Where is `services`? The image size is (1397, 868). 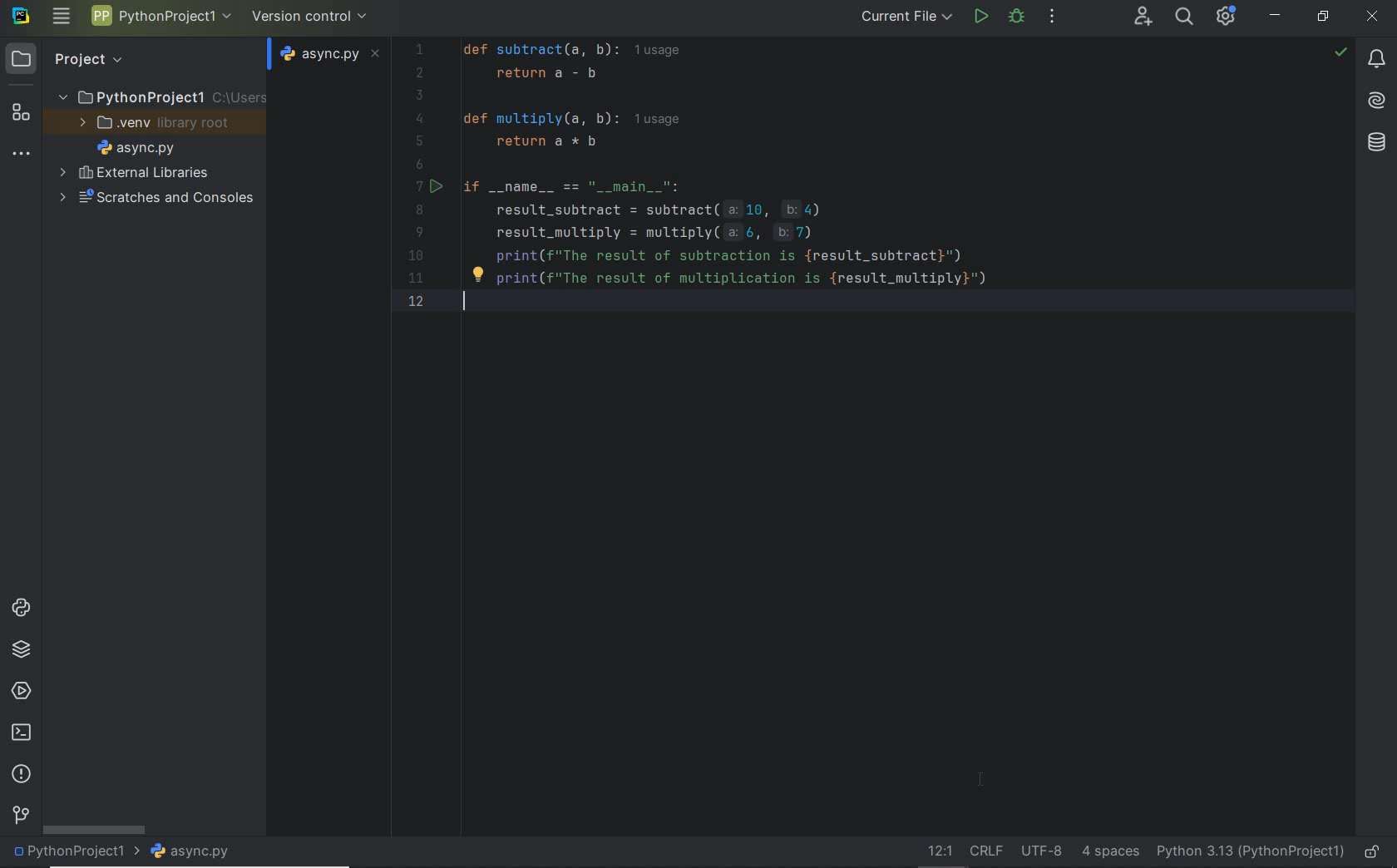 services is located at coordinates (20, 689).